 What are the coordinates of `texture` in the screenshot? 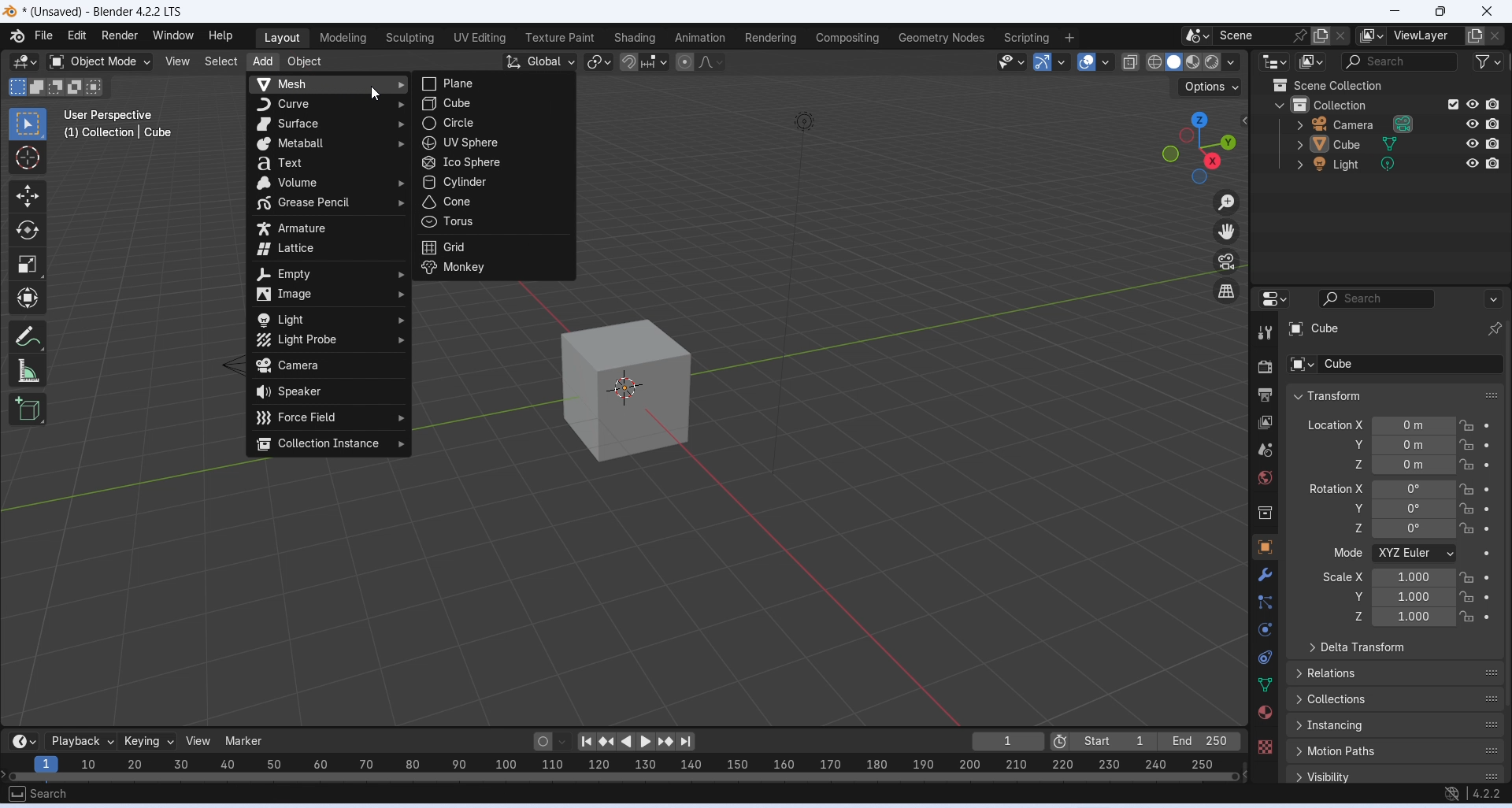 It's located at (1265, 746).